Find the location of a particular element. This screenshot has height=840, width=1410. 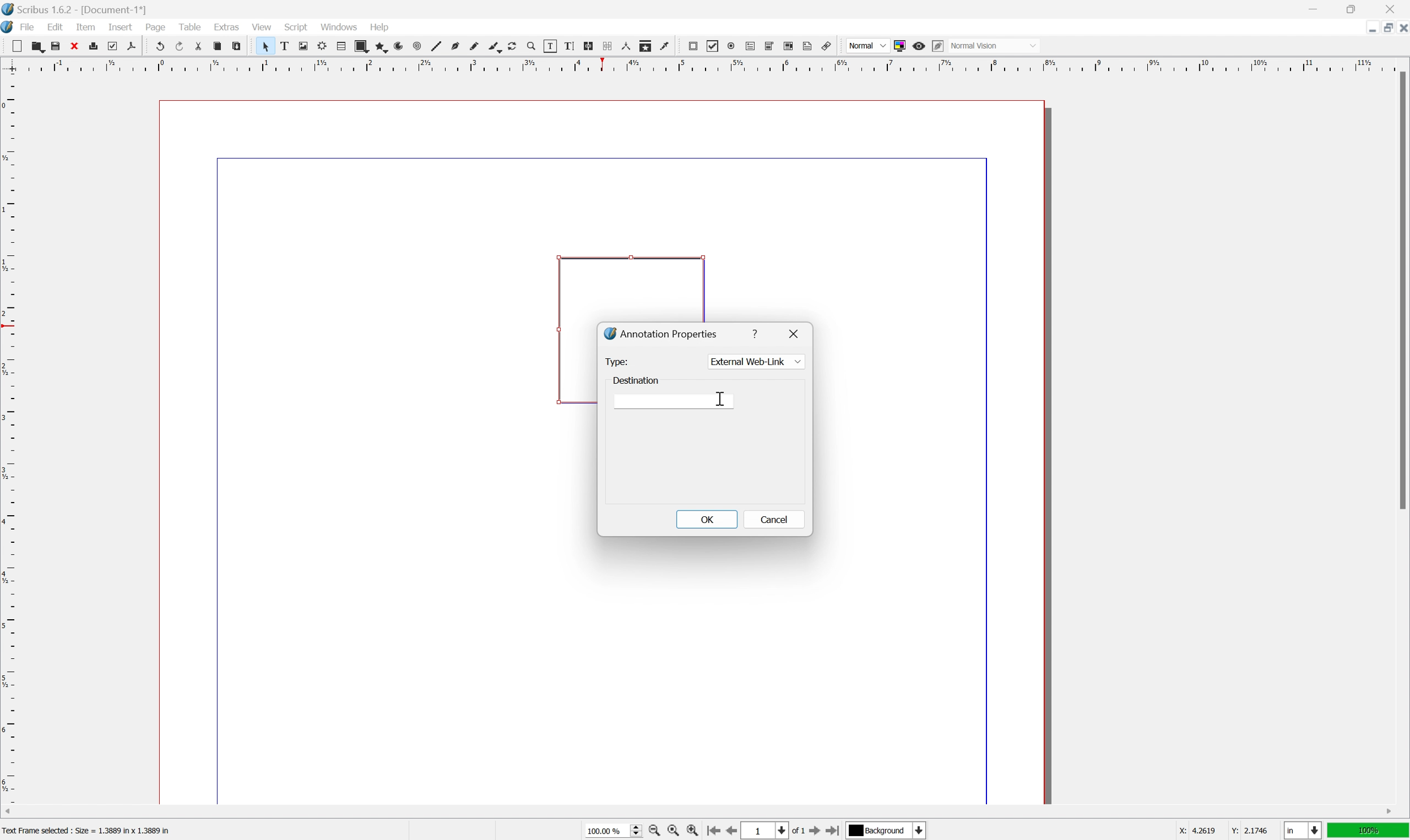

cursor is located at coordinates (717, 396).